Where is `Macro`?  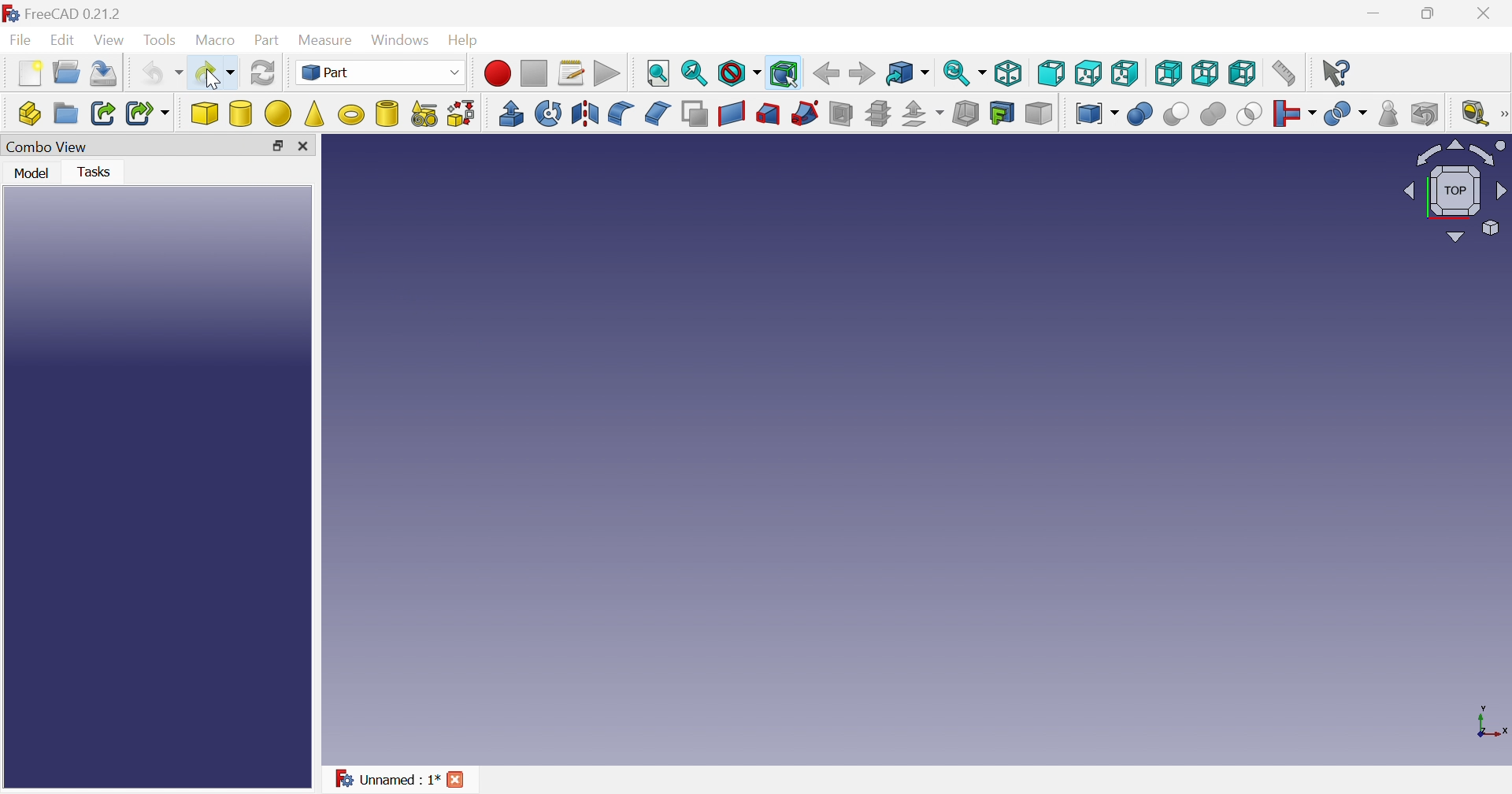
Macro is located at coordinates (215, 42).